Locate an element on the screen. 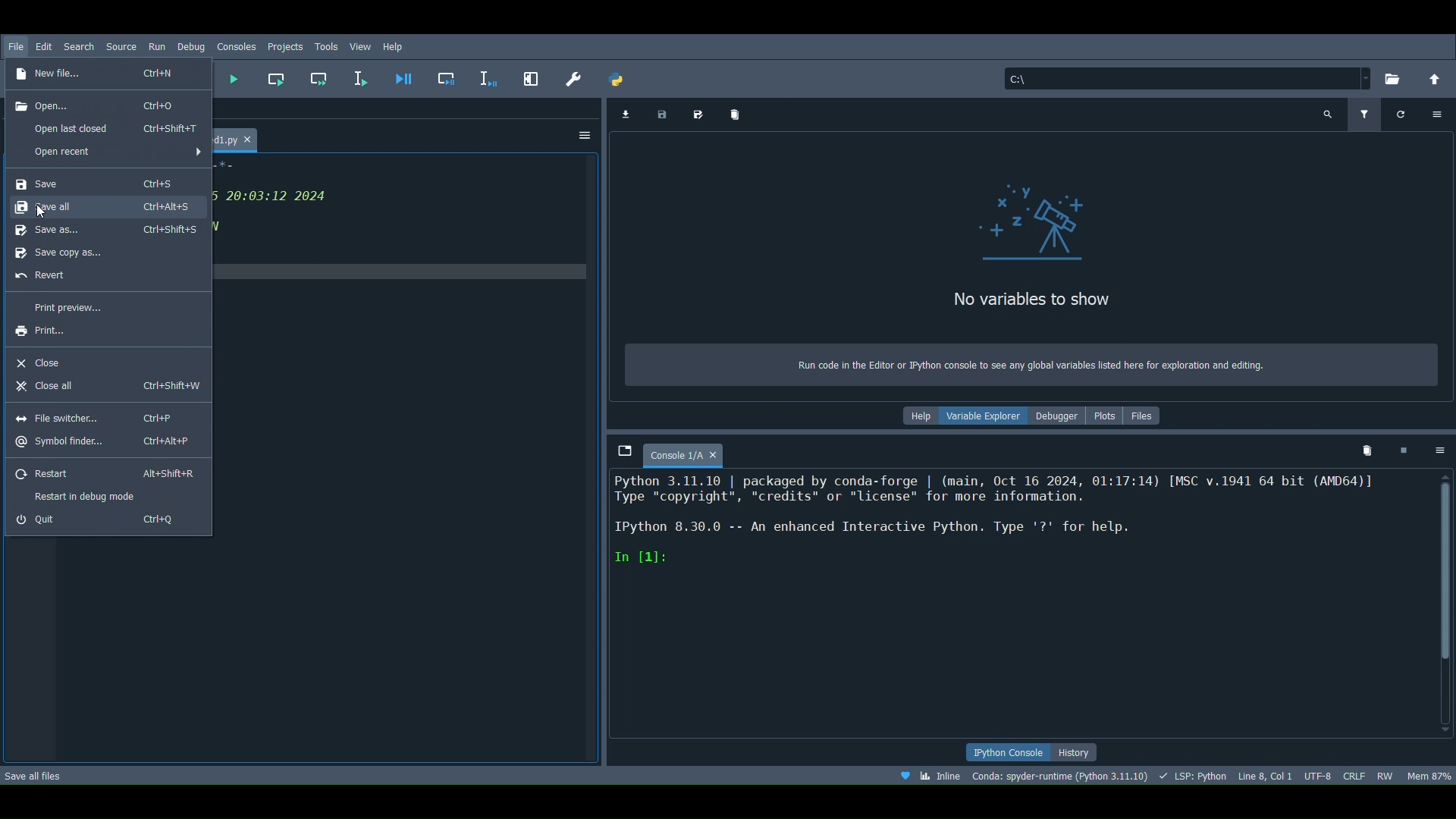  Interrupt kernel is located at coordinates (1403, 447).